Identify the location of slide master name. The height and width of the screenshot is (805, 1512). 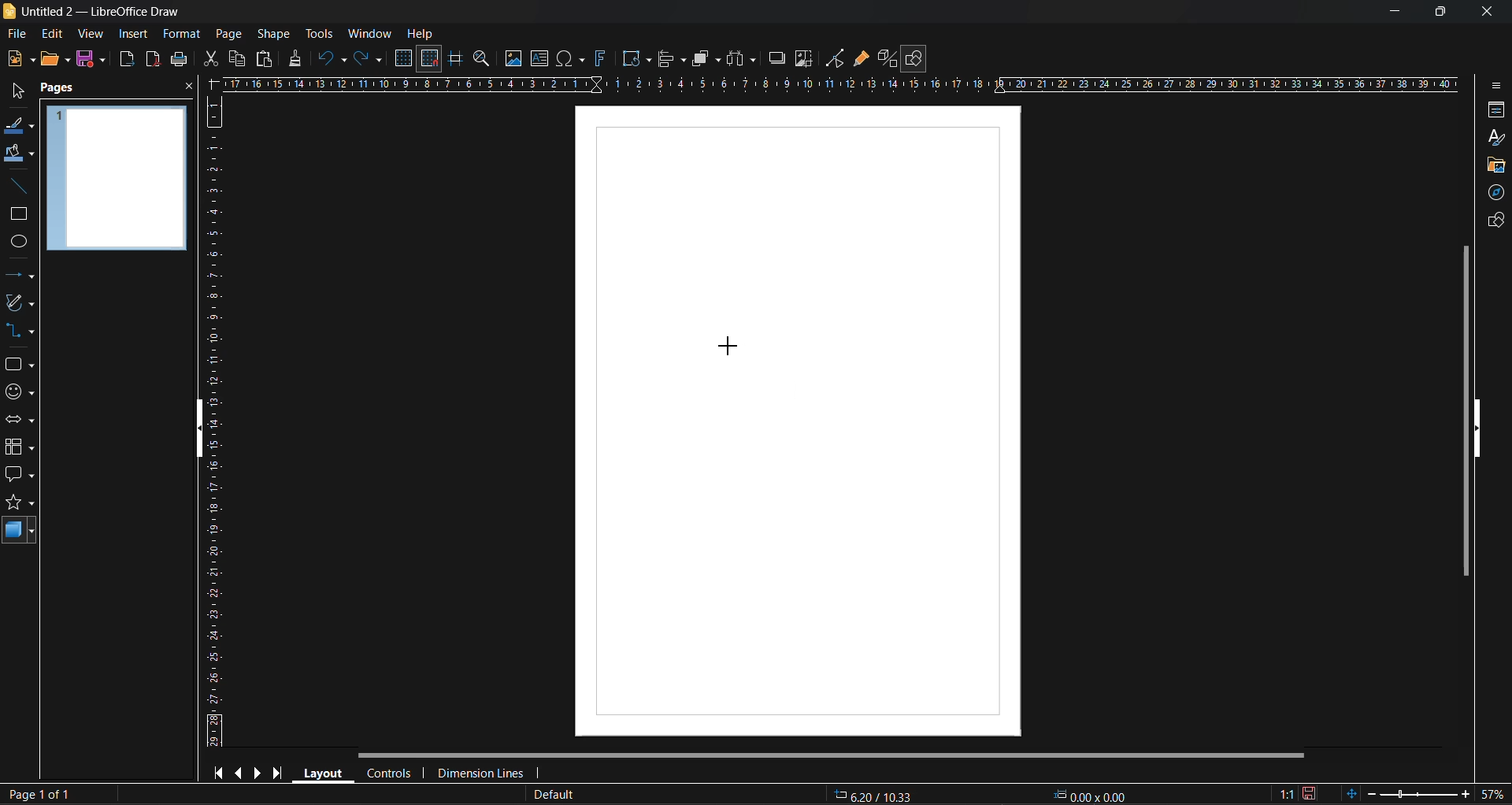
(555, 795).